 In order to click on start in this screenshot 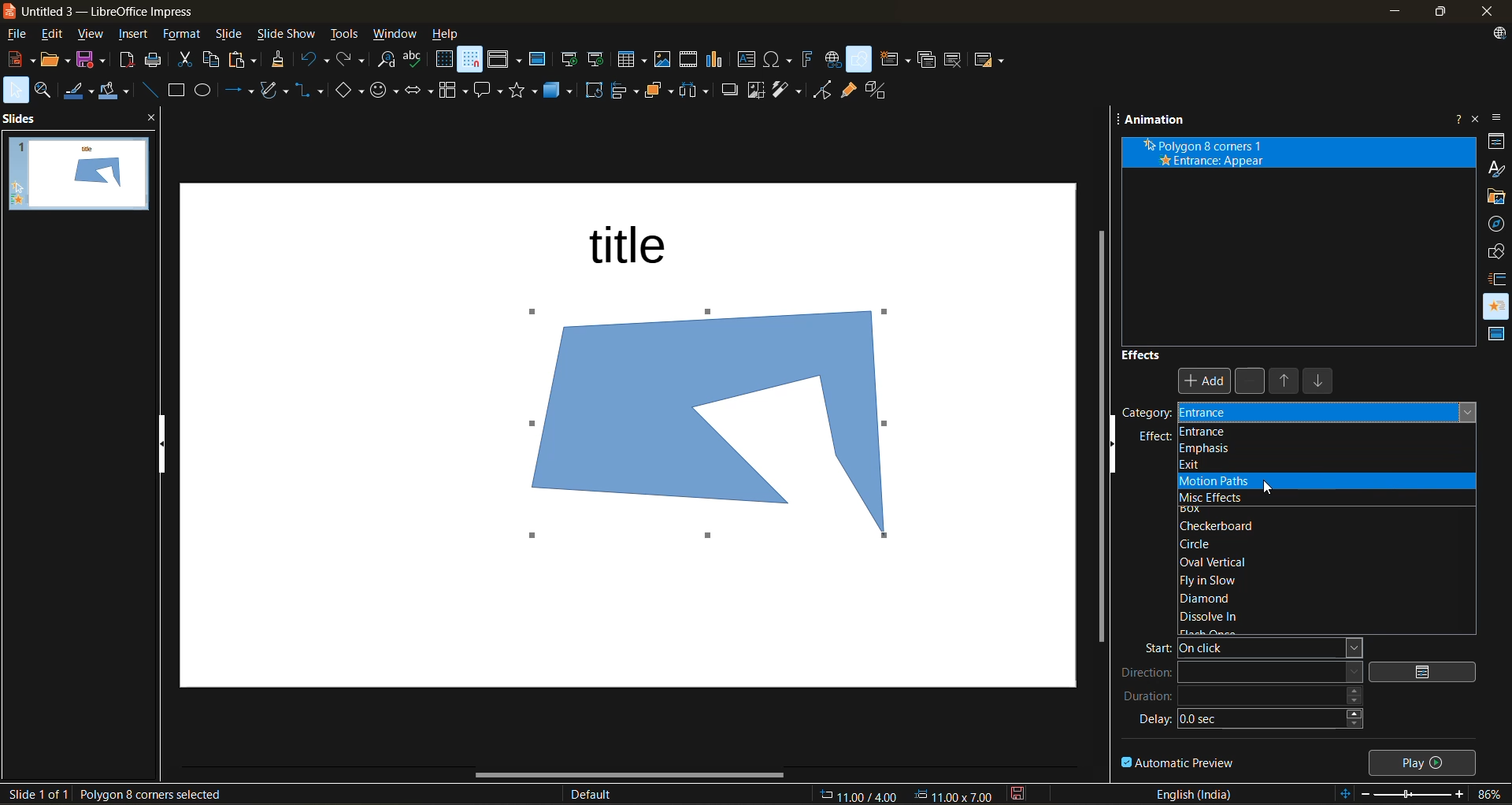, I will do `click(1251, 646)`.